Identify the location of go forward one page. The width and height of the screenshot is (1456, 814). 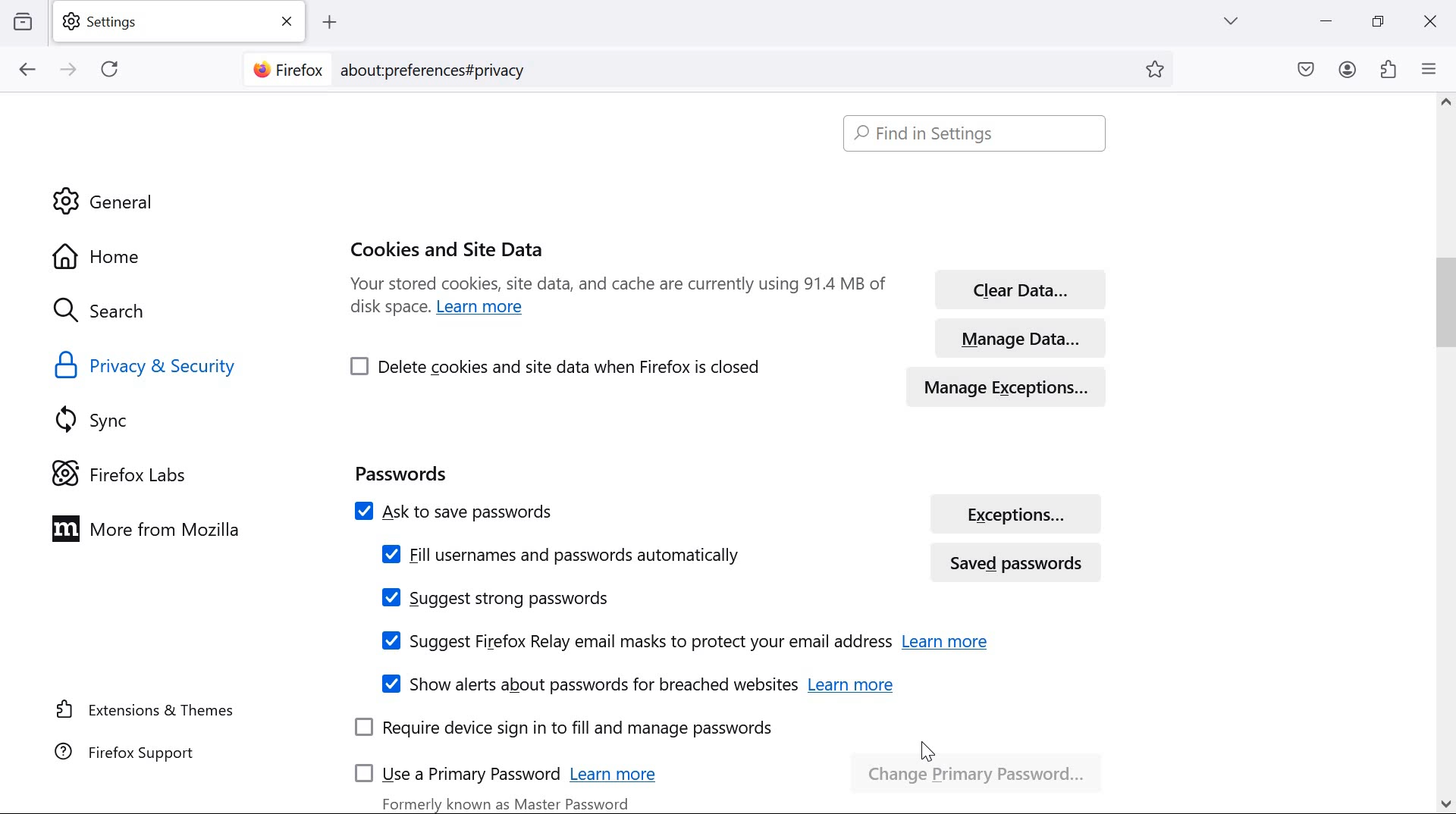
(71, 70).